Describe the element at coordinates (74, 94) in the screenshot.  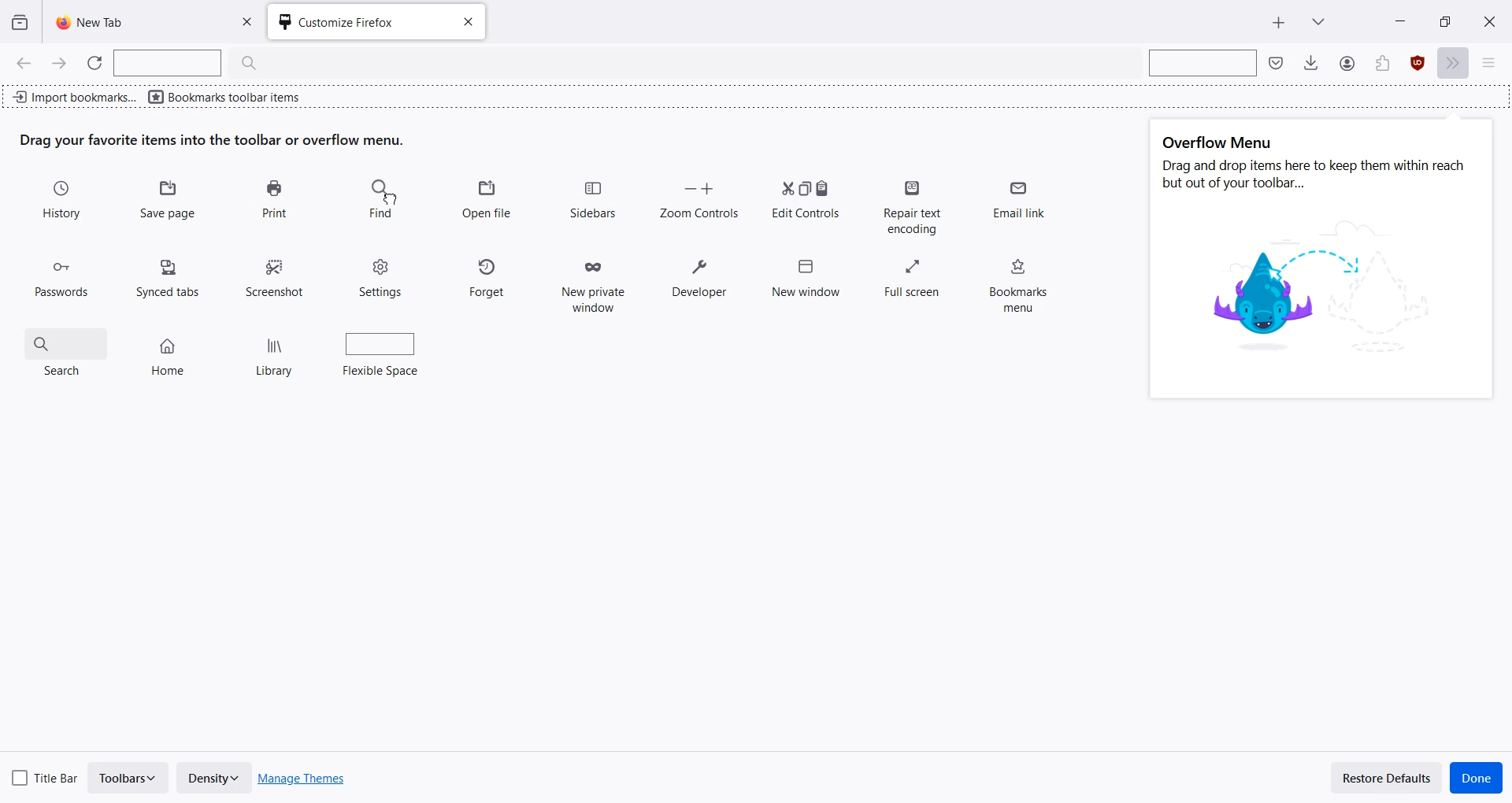
I see `Import bookmark` at that location.